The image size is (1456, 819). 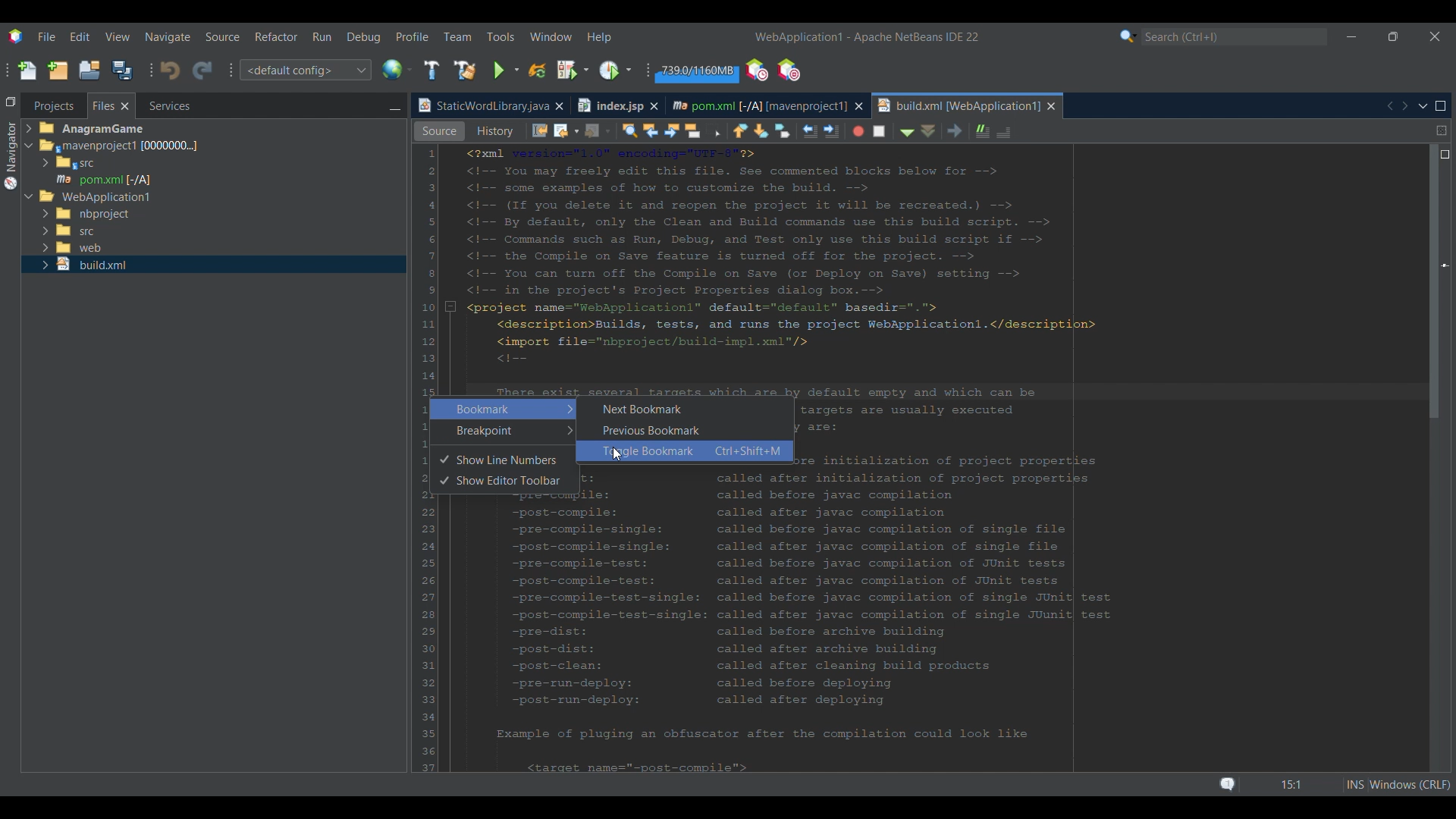 I want to click on Vertical slide bar, so click(x=1436, y=461).